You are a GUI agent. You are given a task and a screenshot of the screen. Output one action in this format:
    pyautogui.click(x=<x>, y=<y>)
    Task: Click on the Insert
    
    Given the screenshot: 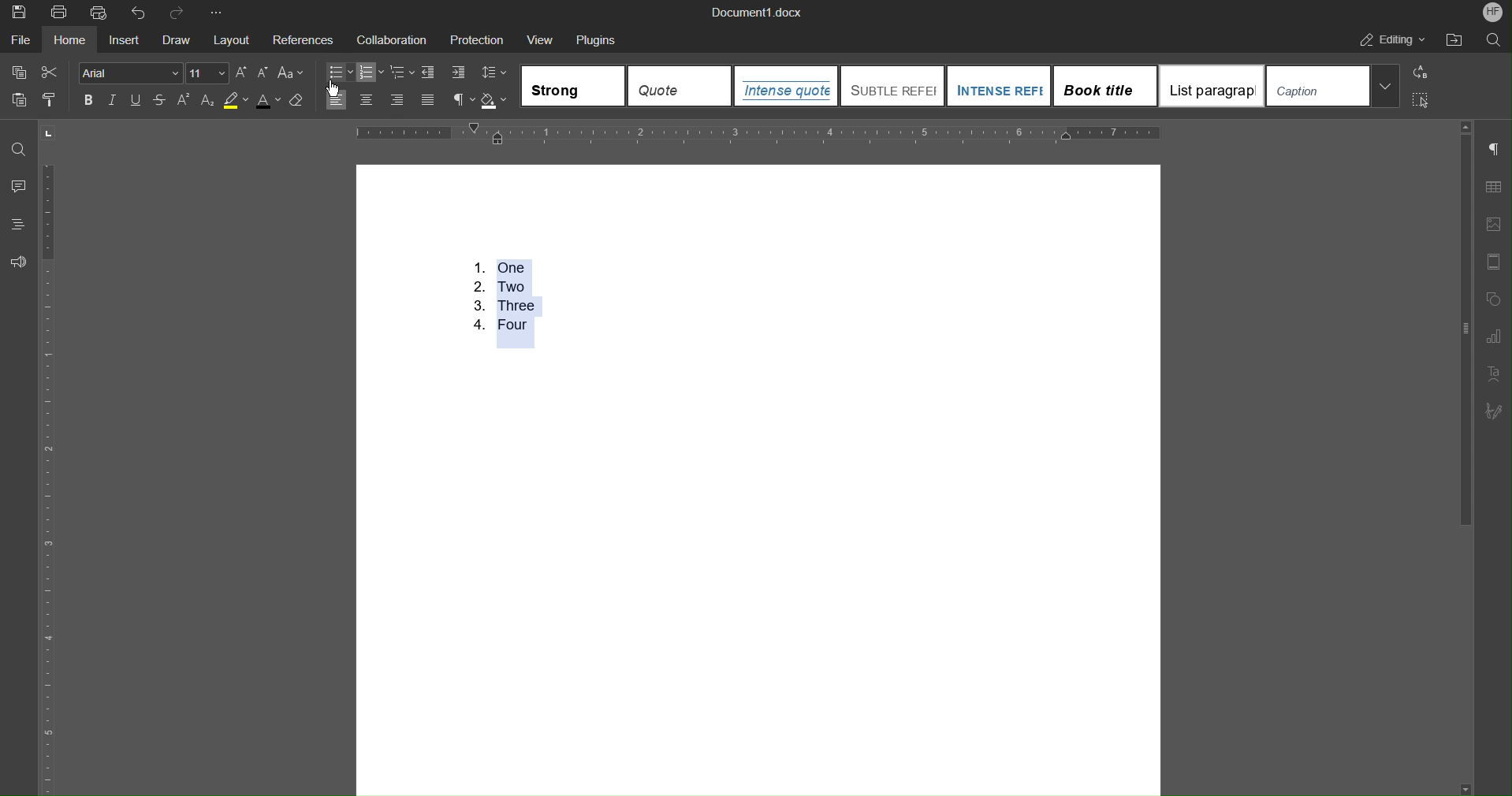 What is the action you would take?
    pyautogui.click(x=128, y=38)
    